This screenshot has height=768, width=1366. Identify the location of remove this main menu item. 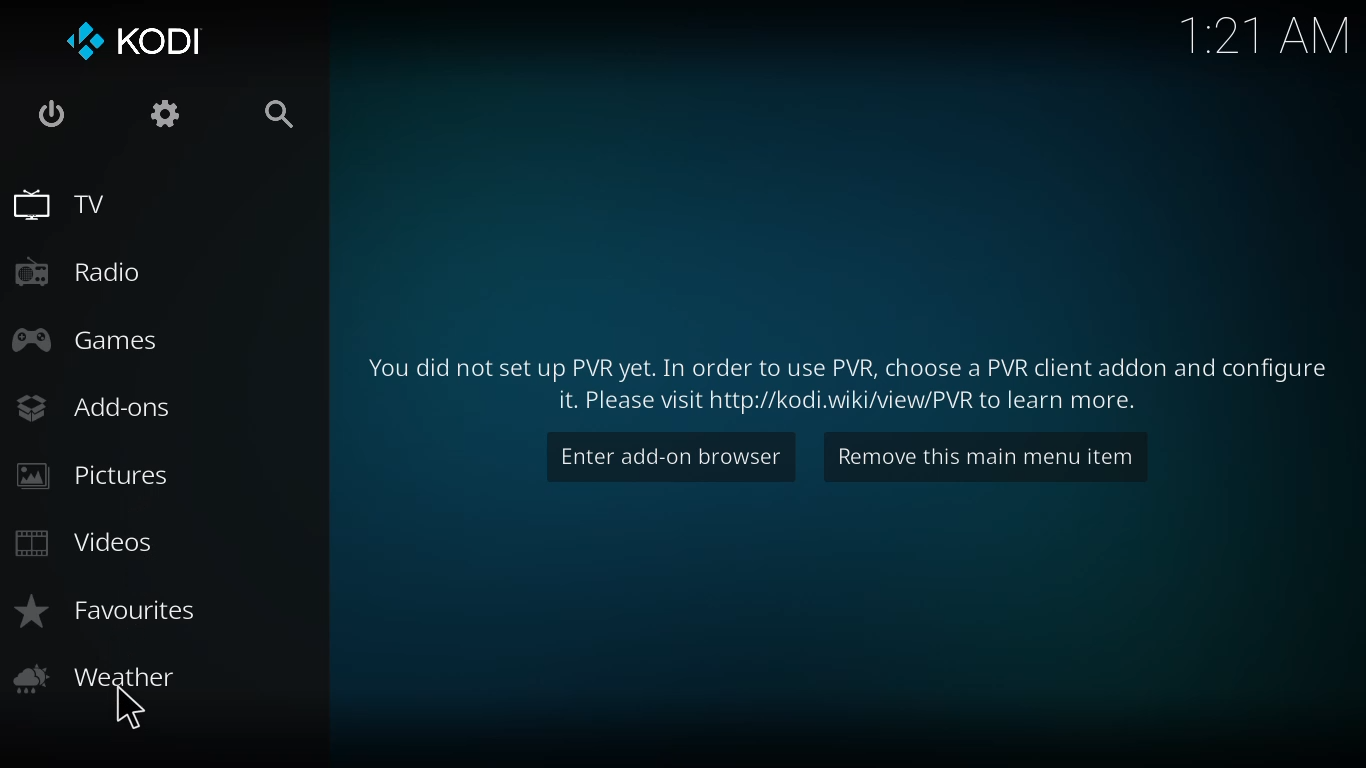
(990, 460).